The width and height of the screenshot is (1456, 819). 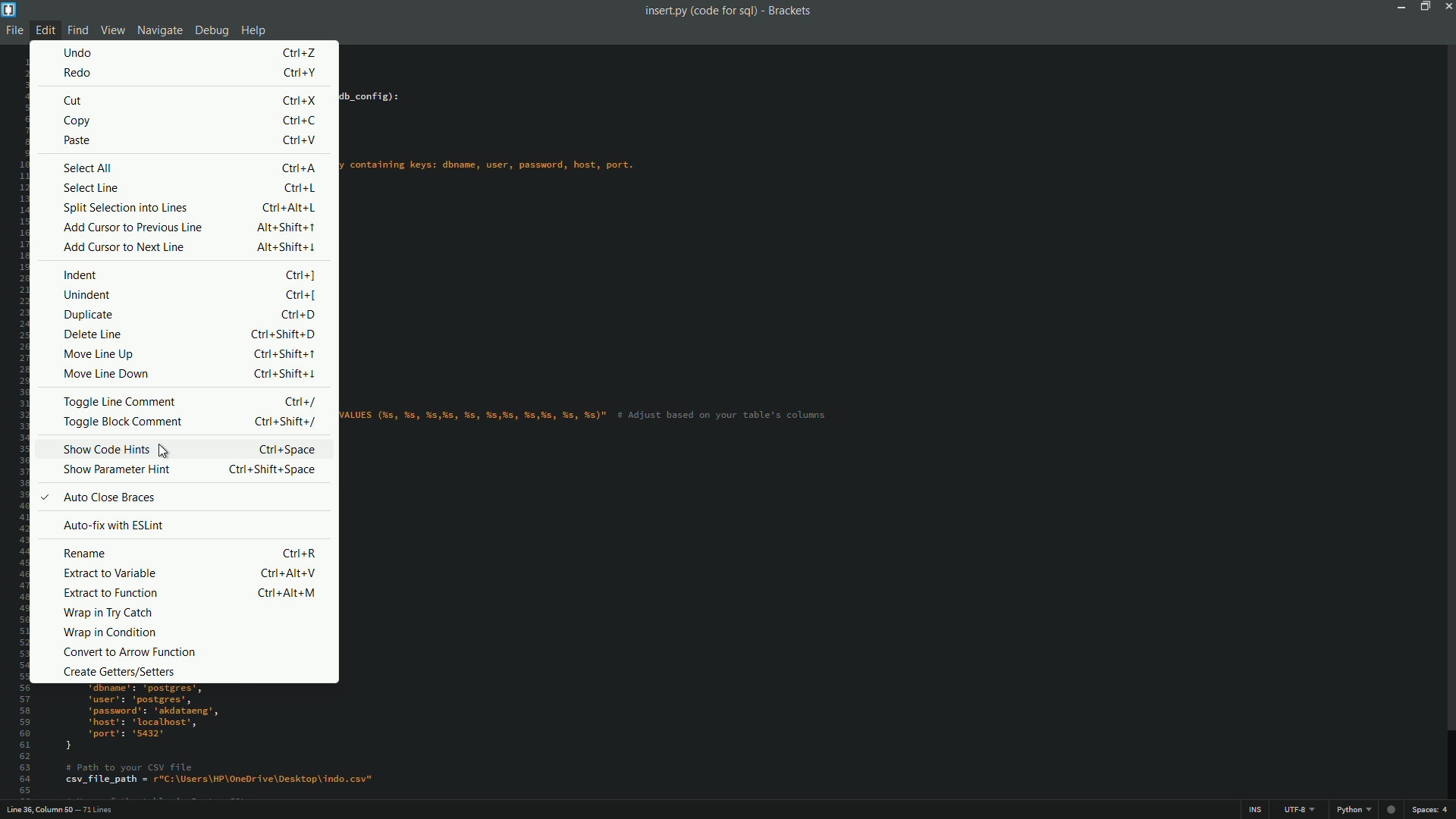 What do you see at coordinates (120, 423) in the screenshot?
I see `toggle block comment` at bounding box center [120, 423].